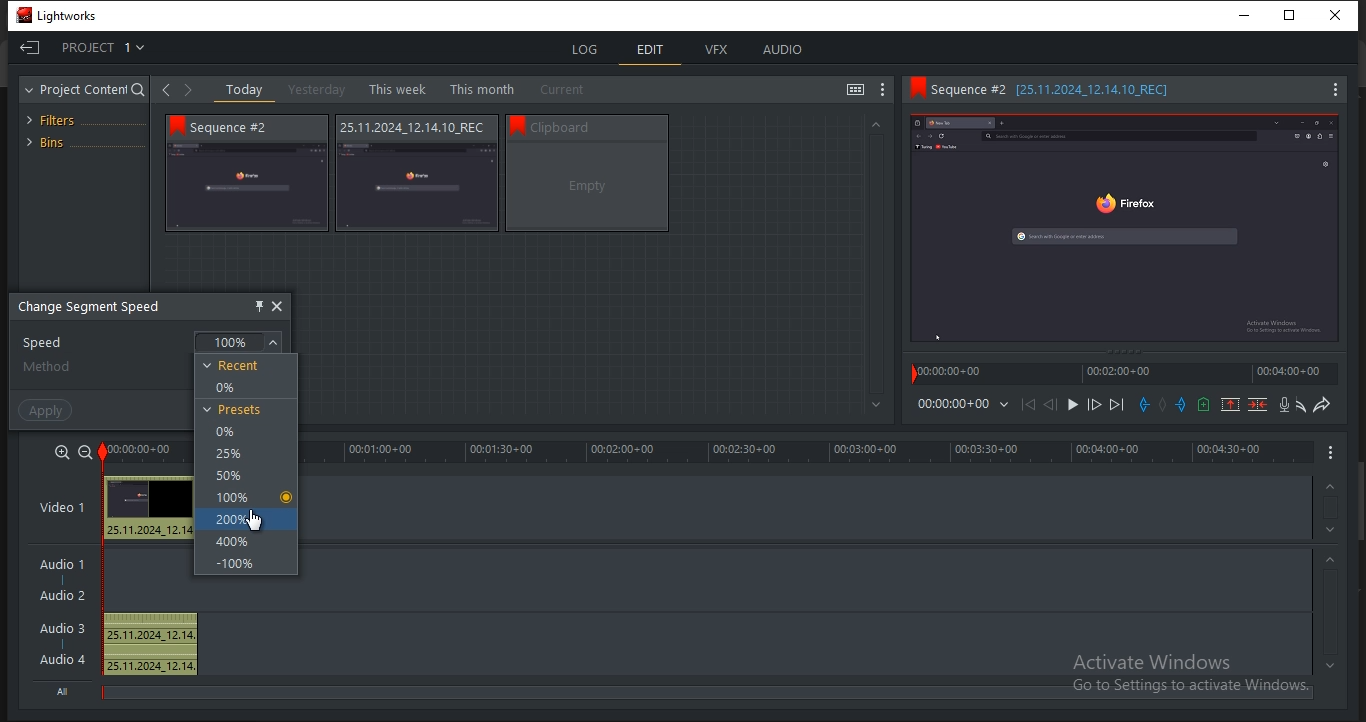  I want to click on Activate windows, Go to settings to activate windows, so click(1189, 674).